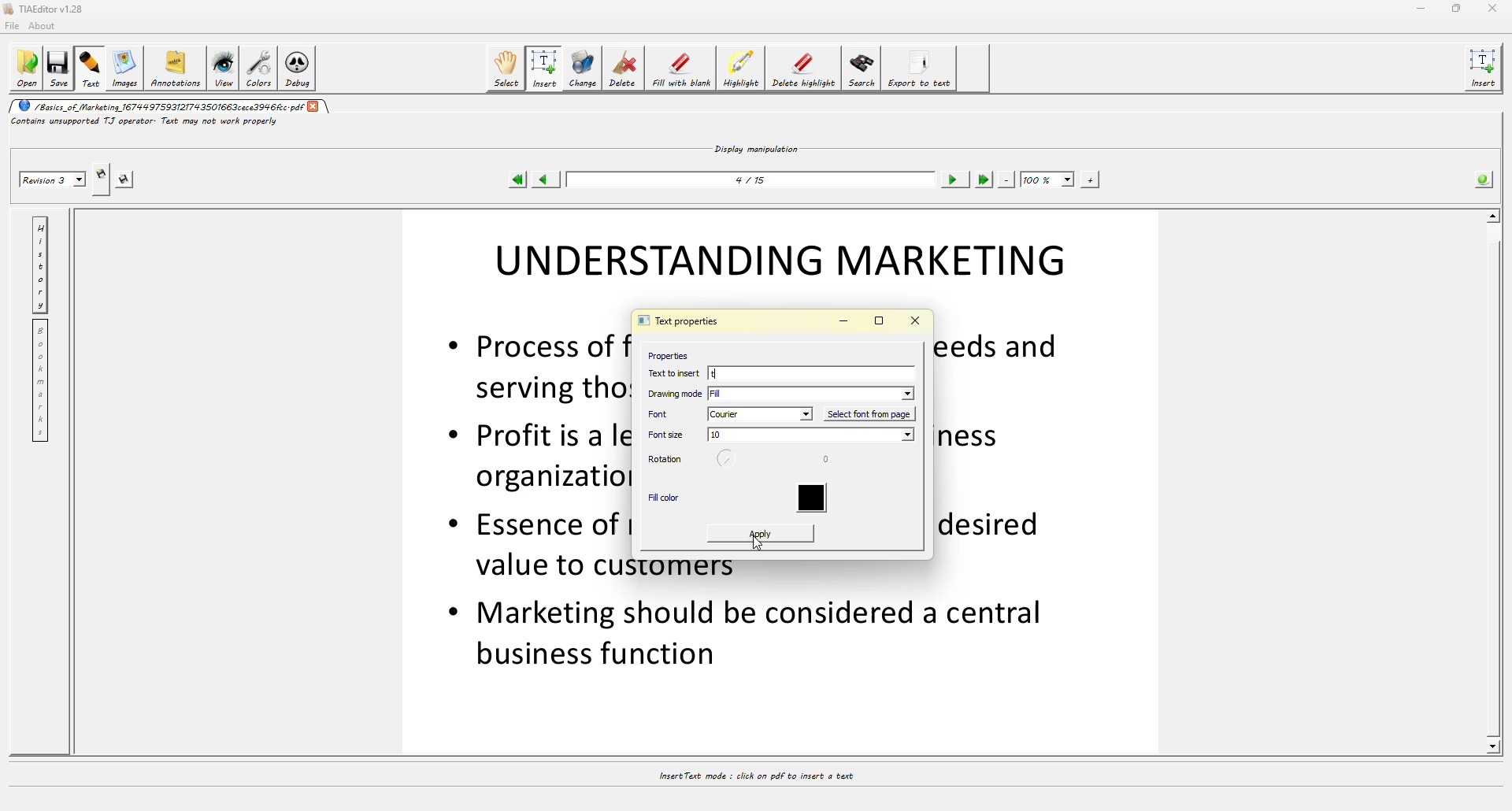  What do you see at coordinates (1456, 9) in the screenshot?
I see `maximize` at bounding box center [1456, 9].